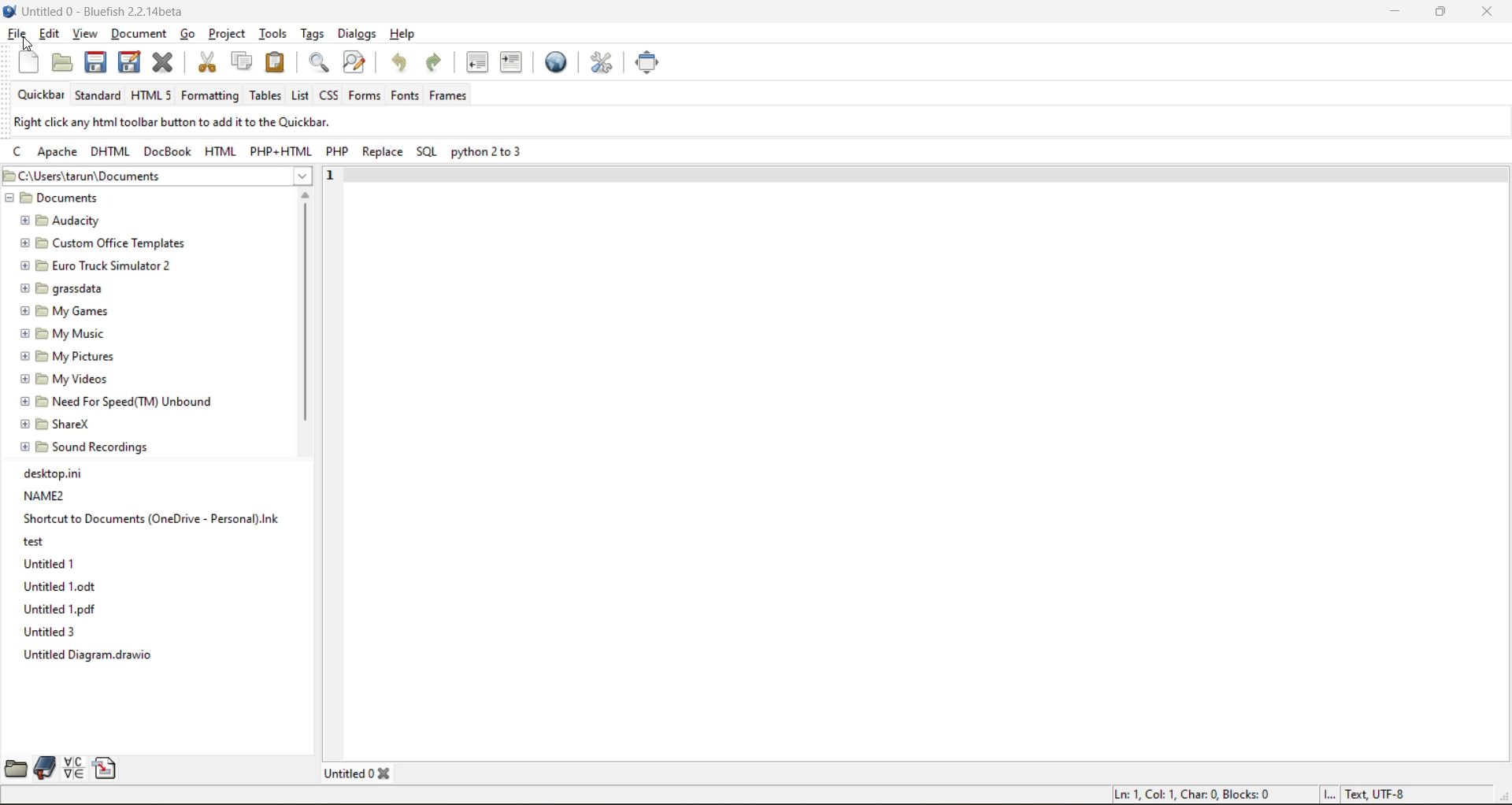 The height and width of the screenshot is (805, 1512). What do you see at coordinates (1445, 13) in the screenshot?
I see `maximize` at bounding box center [1445, 13].